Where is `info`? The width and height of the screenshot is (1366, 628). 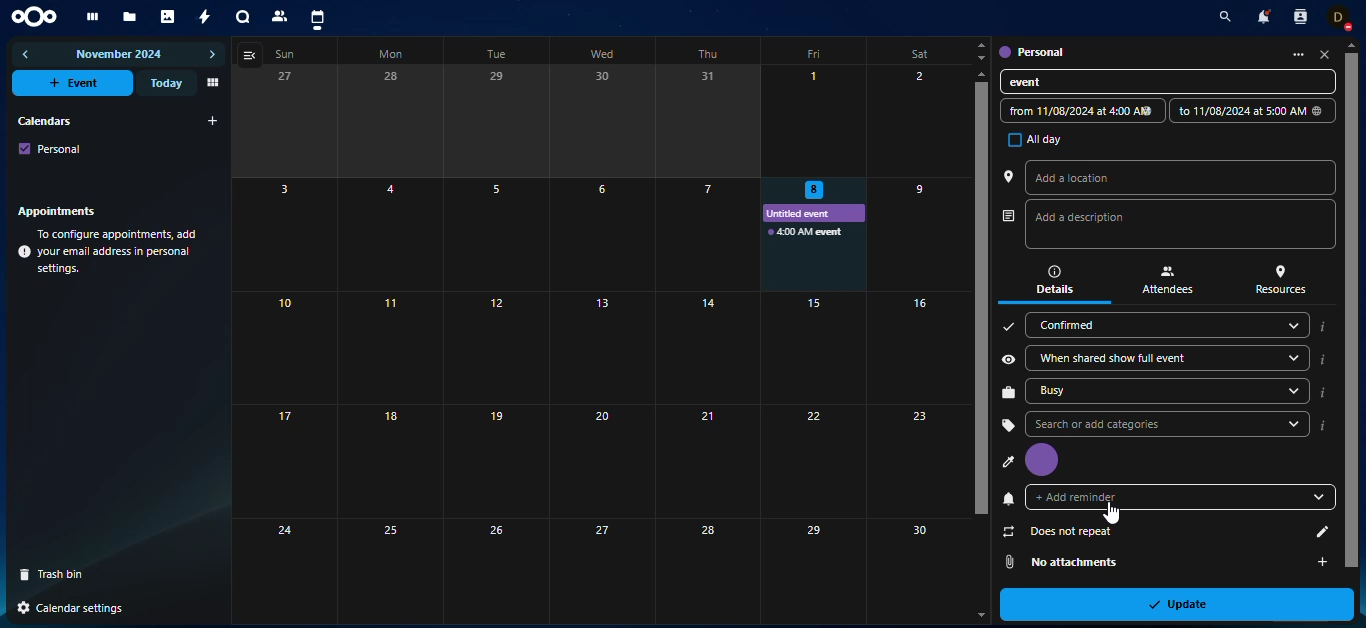
info is located at coordinates (110, 252).